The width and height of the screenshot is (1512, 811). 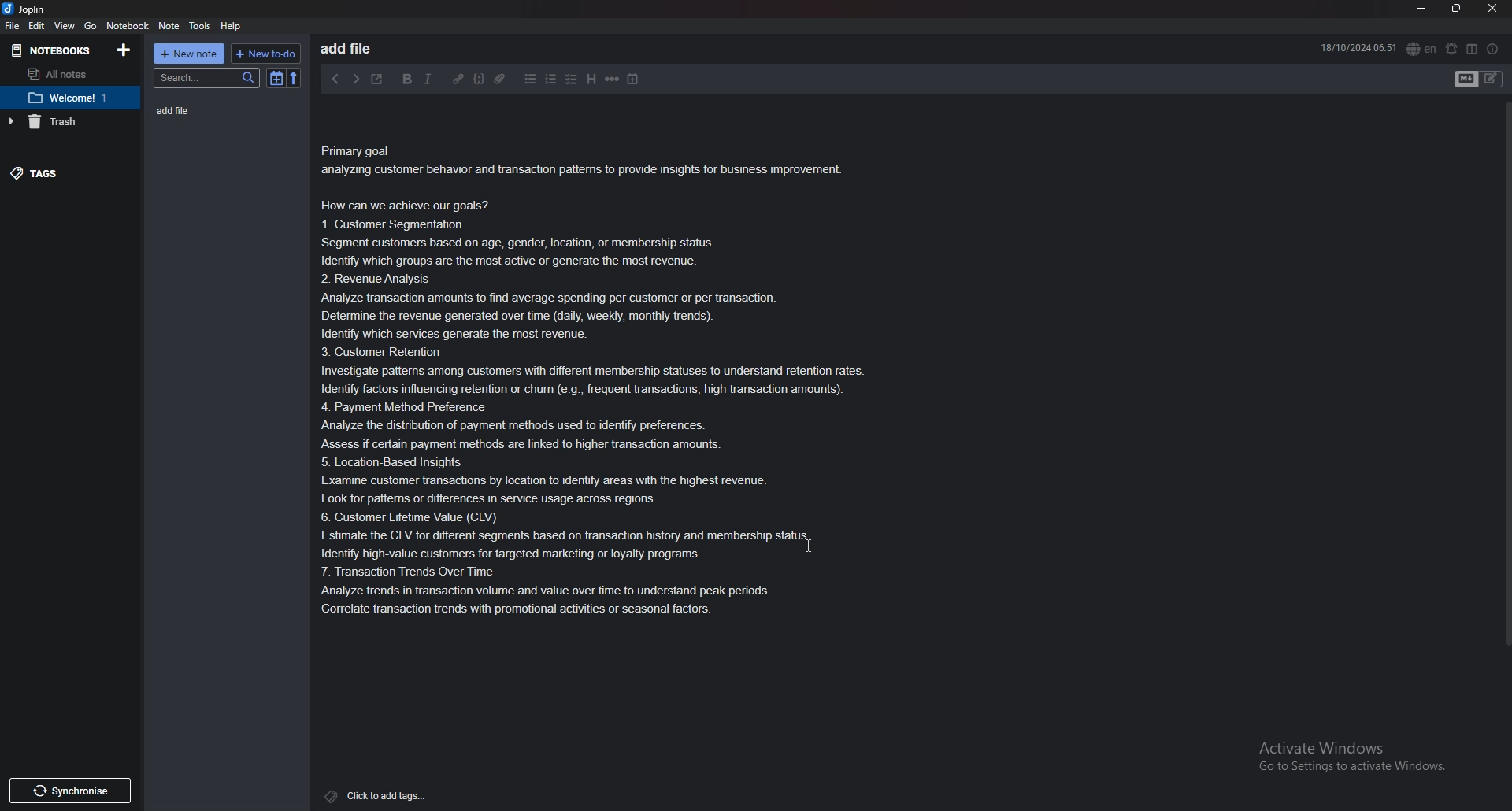 I want to click on Toggle sort order, so click(x=277, y=79).